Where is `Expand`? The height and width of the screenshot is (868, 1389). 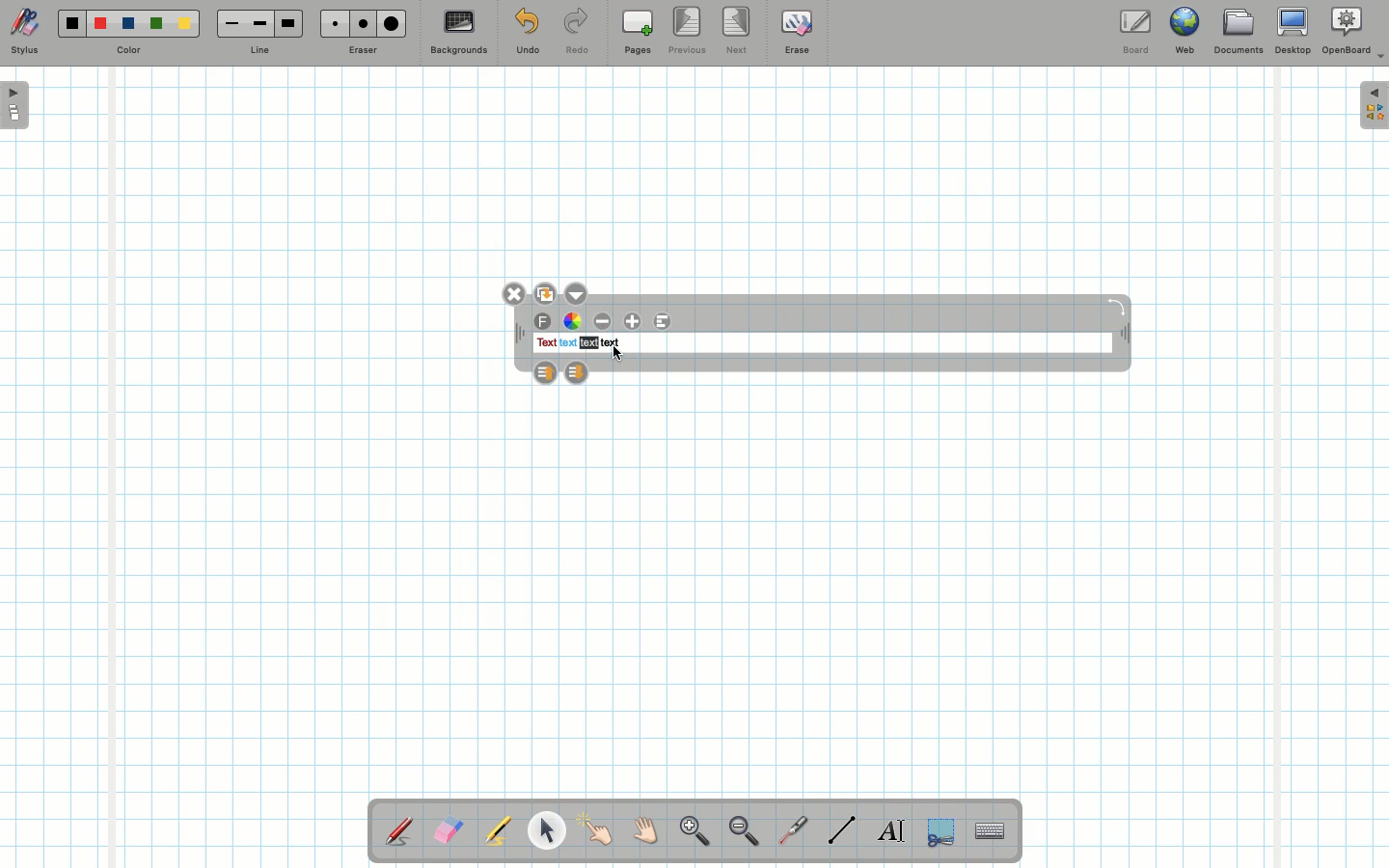 Expand is located at coordinates (1374, 105).